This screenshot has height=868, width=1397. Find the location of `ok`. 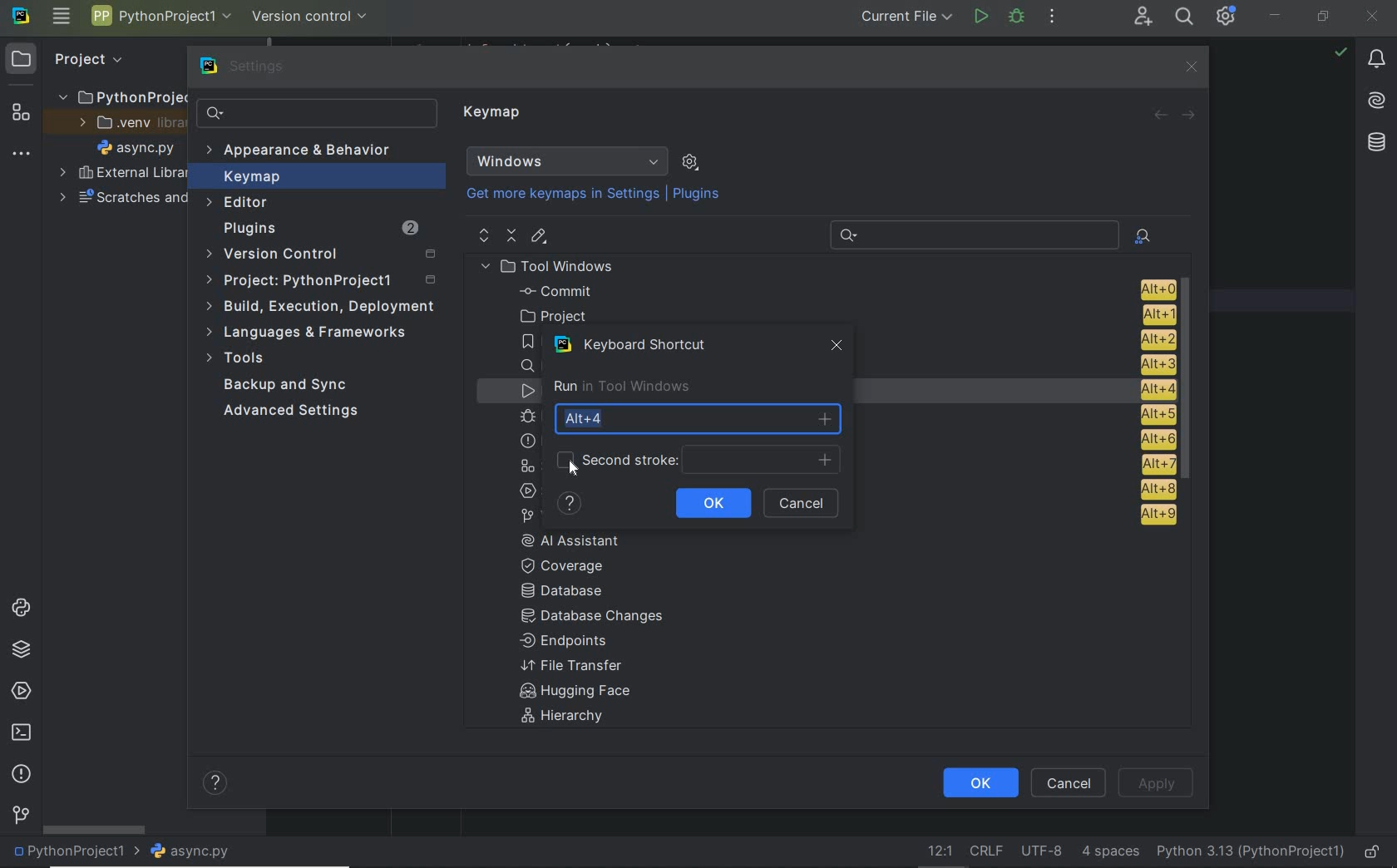

ok is located at coordinates (979, 783).